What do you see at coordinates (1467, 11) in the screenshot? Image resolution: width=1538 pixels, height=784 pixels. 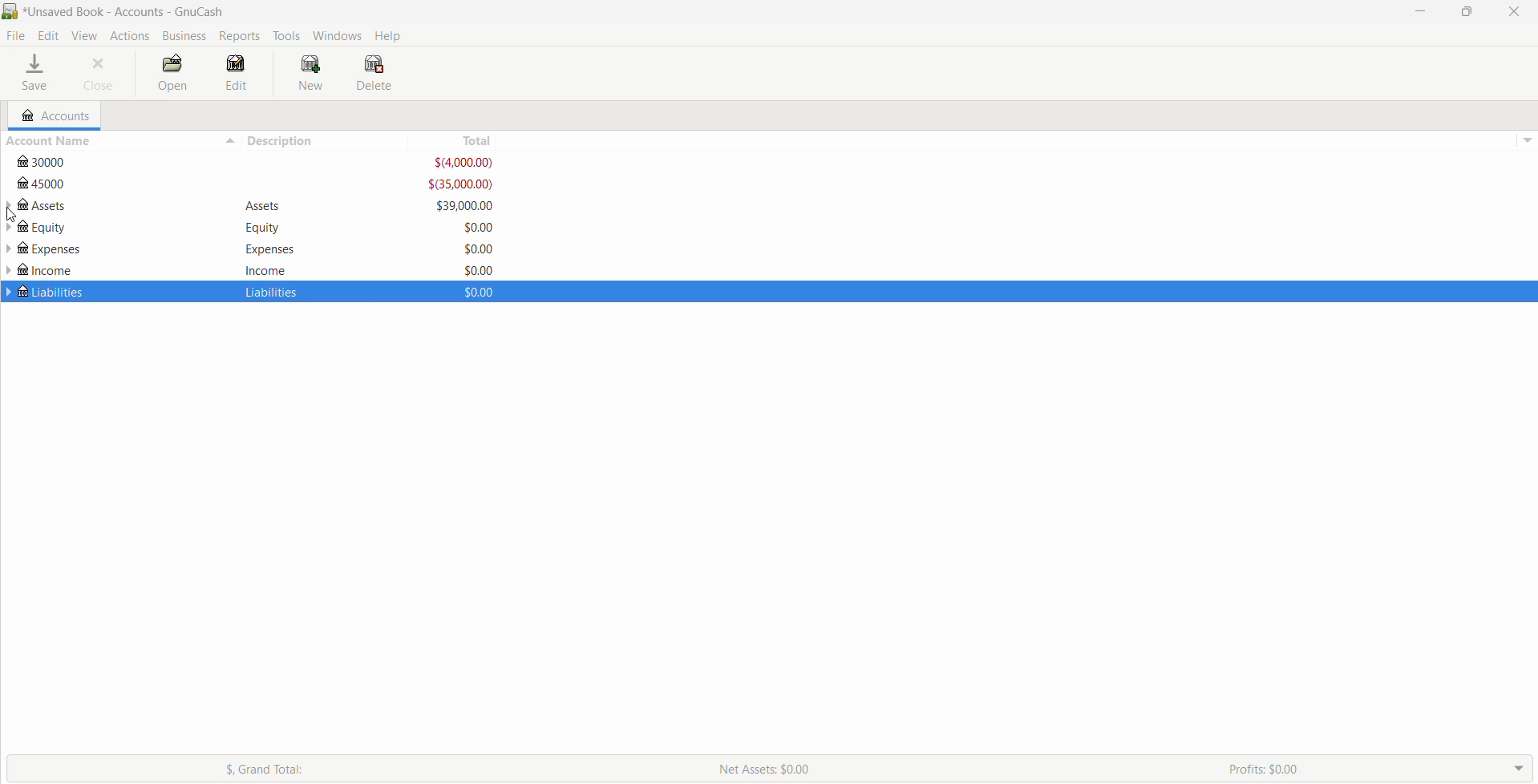 I see `Restore Down` at bounding box center [1467, 11].